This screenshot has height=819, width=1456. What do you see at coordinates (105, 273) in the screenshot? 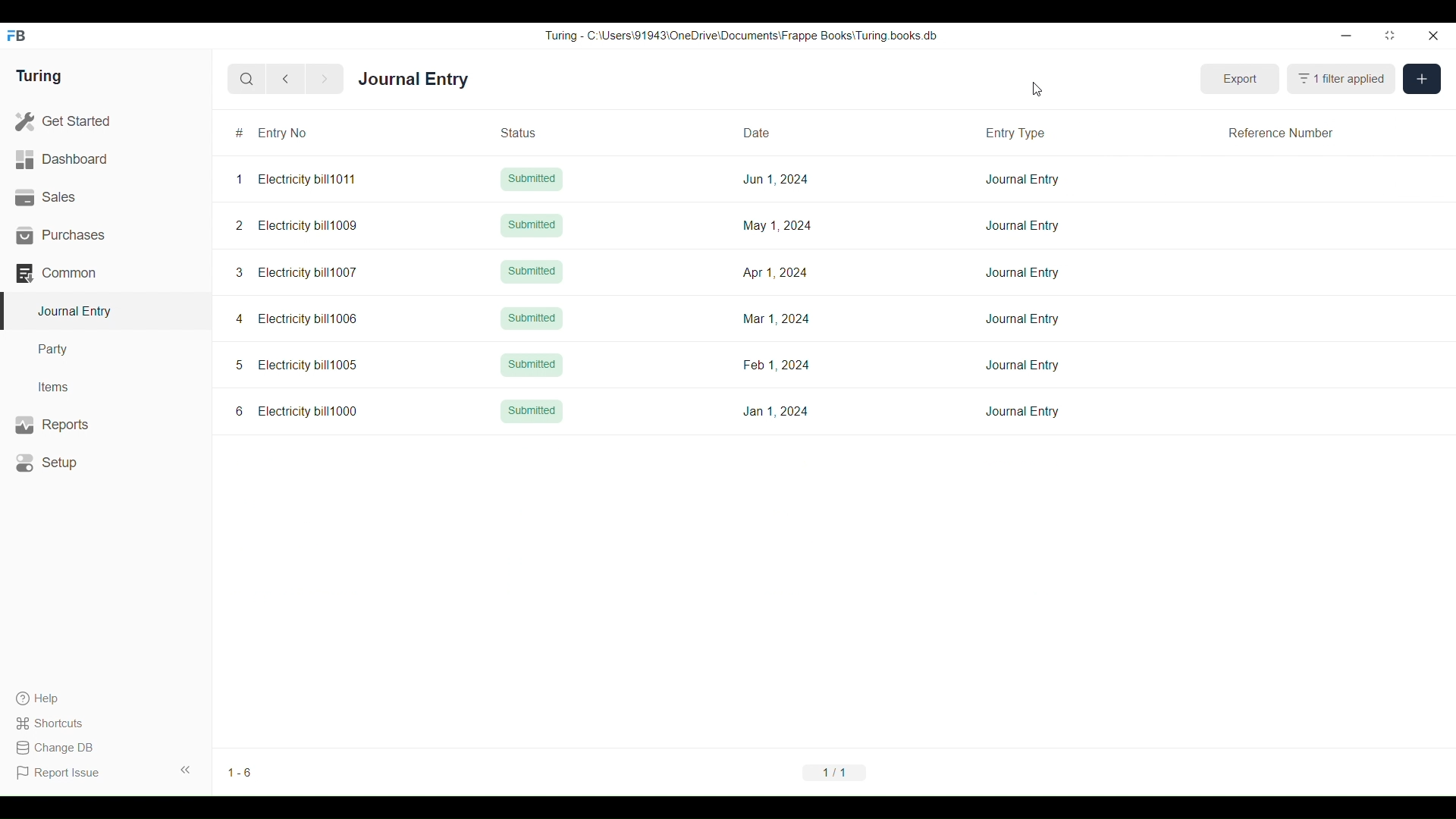
I see `Common` at bounding box center [105, 273].